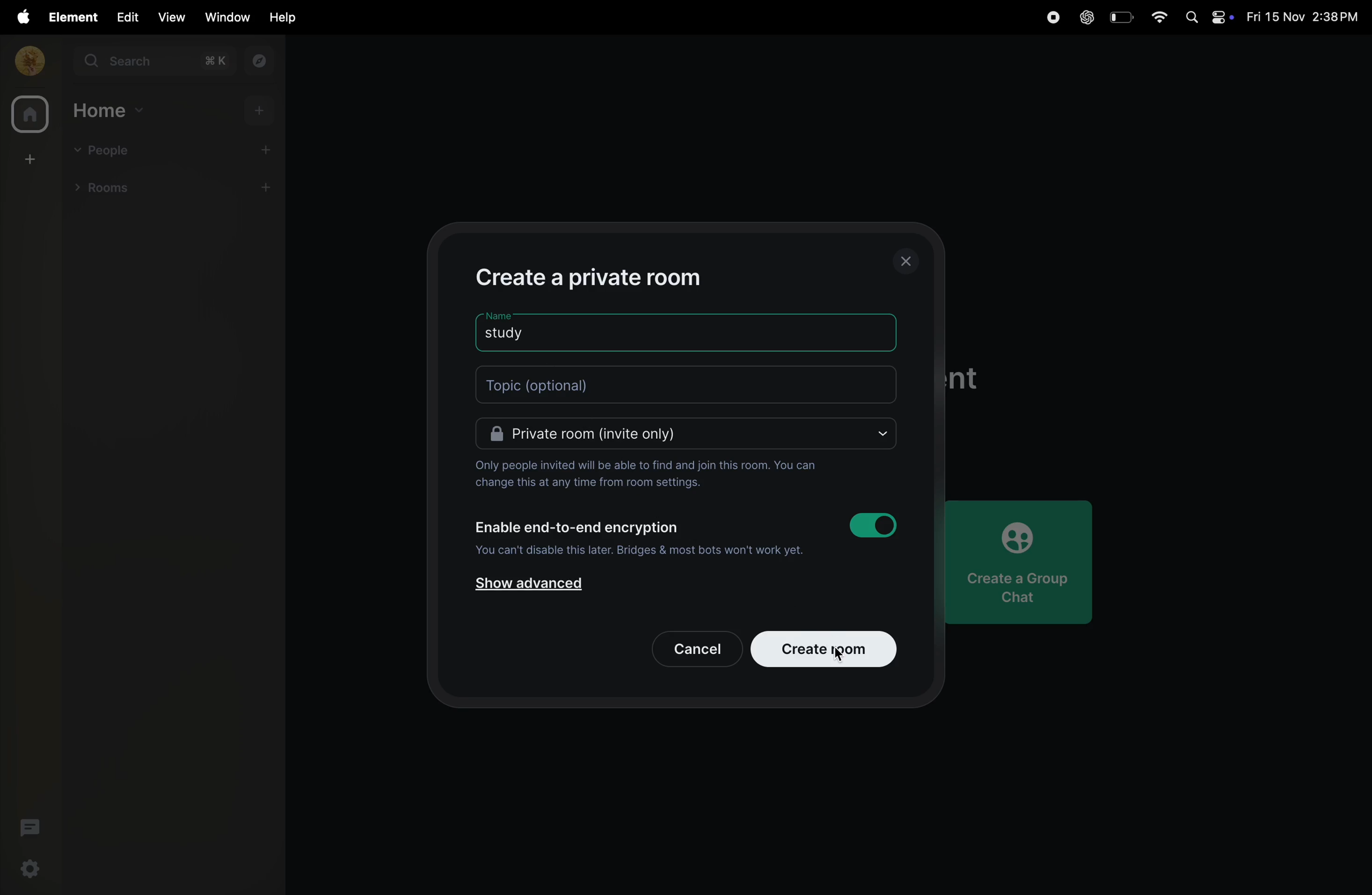 This screenshot has width=1372, height=895. What do you see at coordinates (846, 655) in the screenshot?
I see `cursor` at bounding box center [846, 655].